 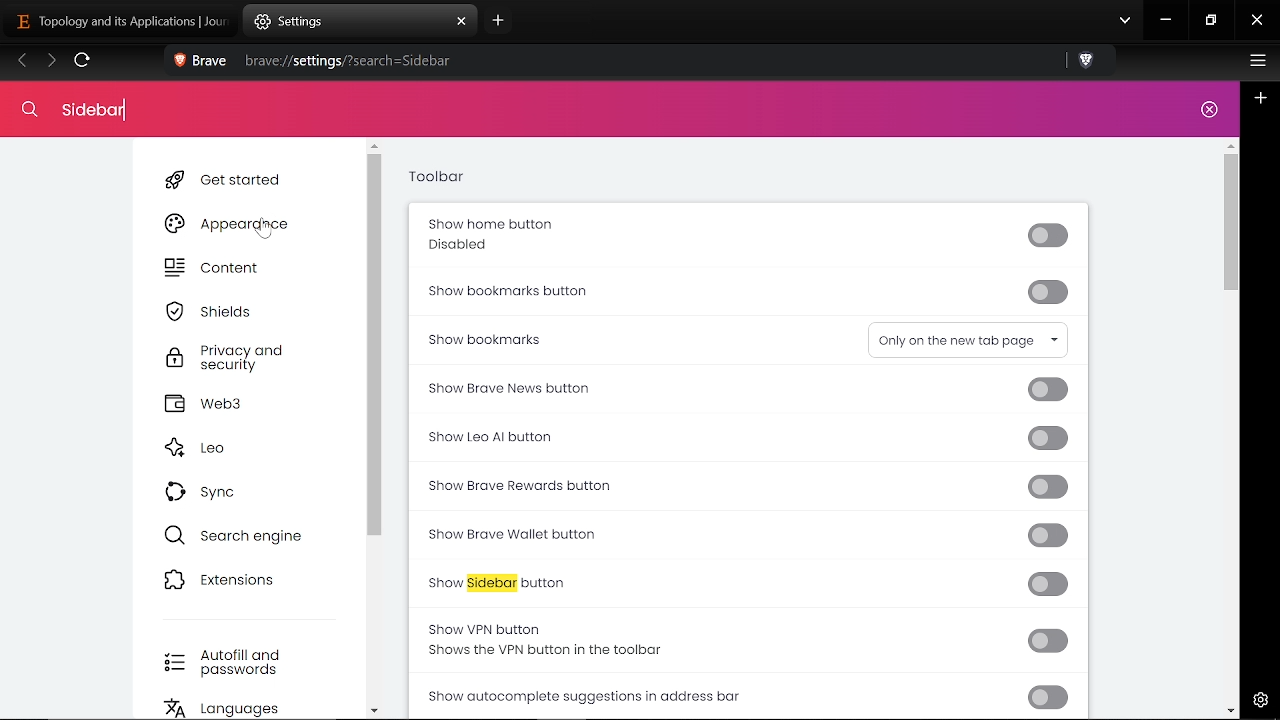 I want to click on Show brave news button, so click(x=742, y=389).